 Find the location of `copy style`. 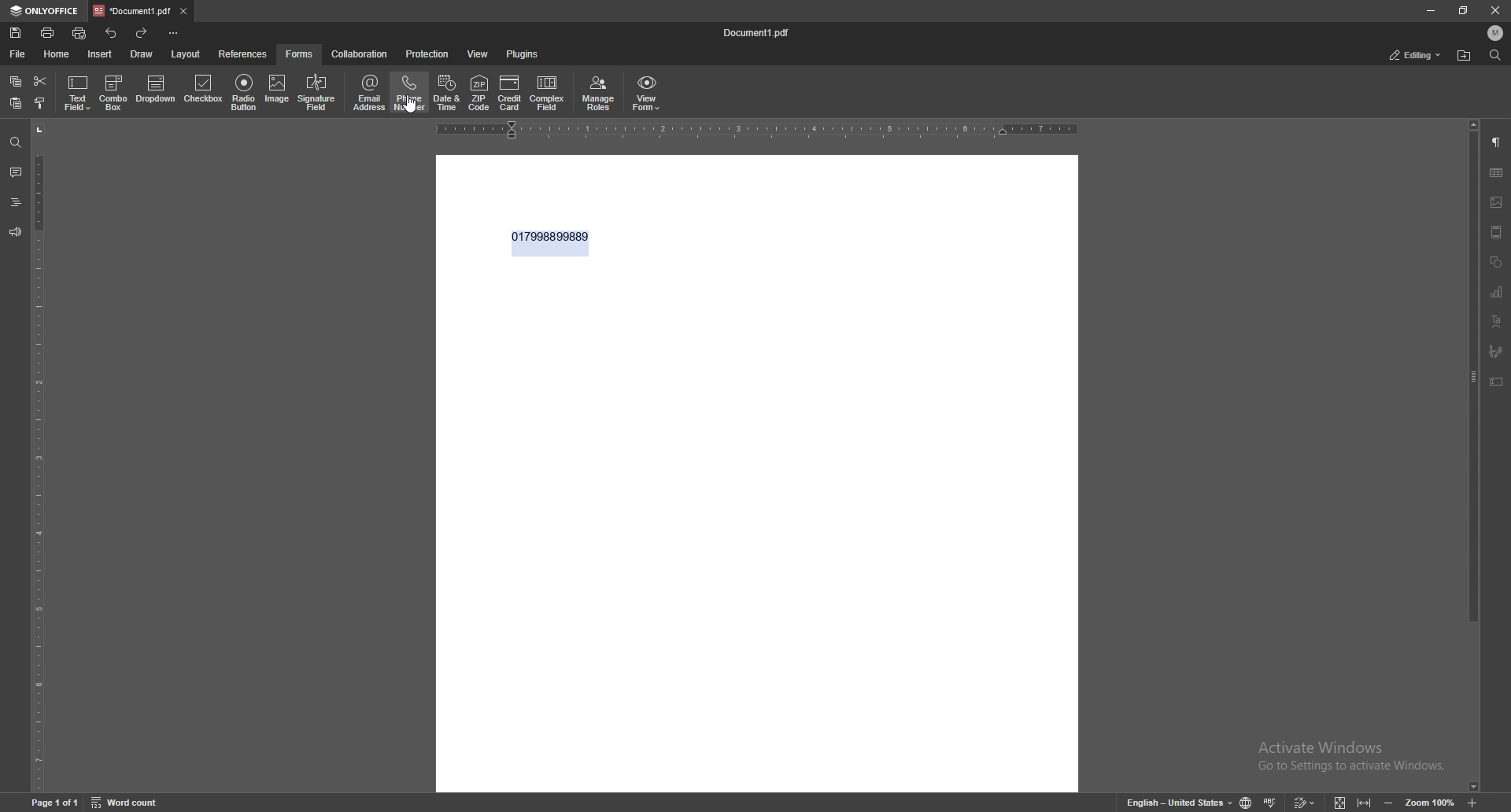

copy style is located at coordinates (40, 103).